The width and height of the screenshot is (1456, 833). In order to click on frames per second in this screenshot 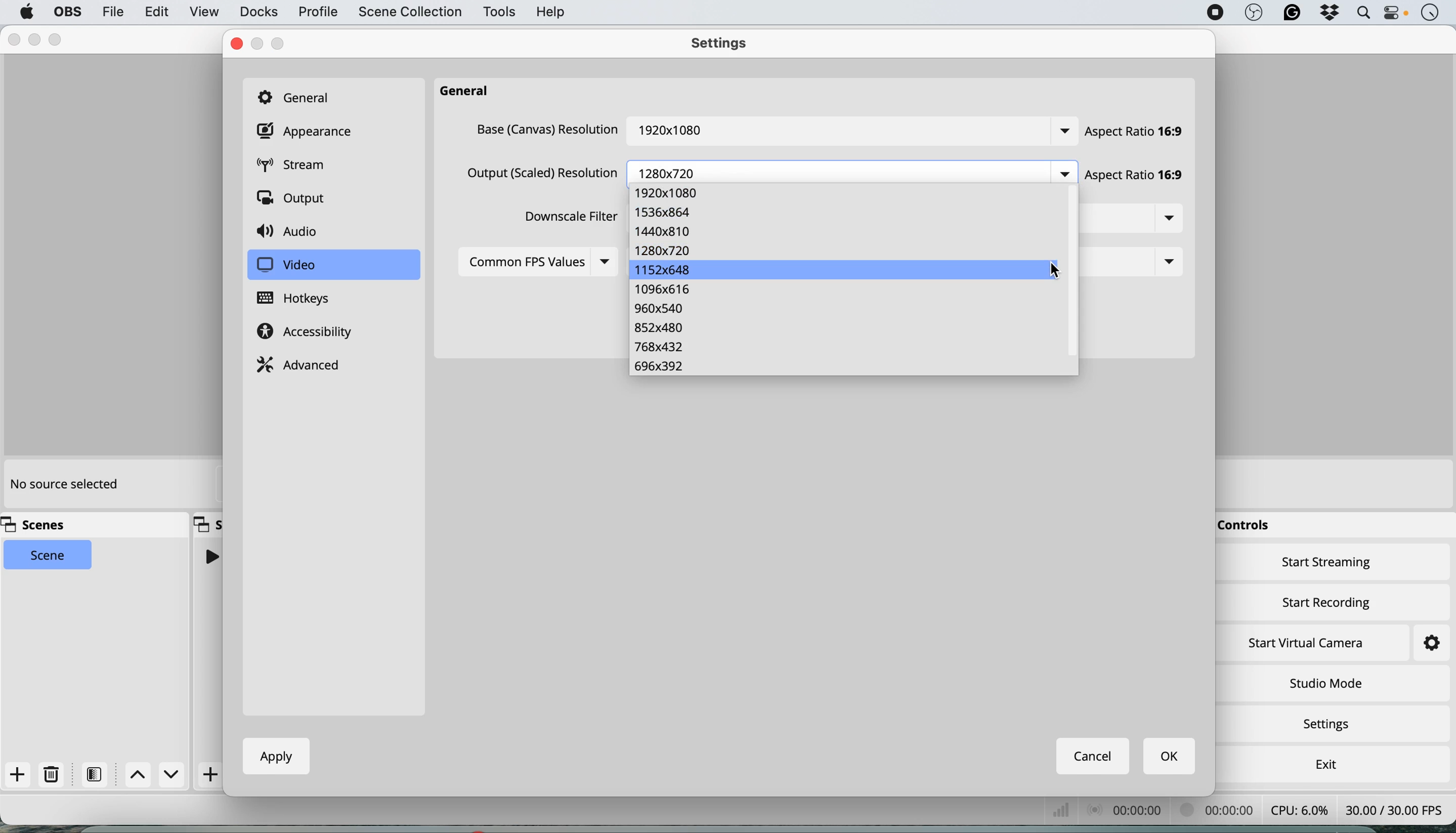, I will do `click(1394, 808)`.